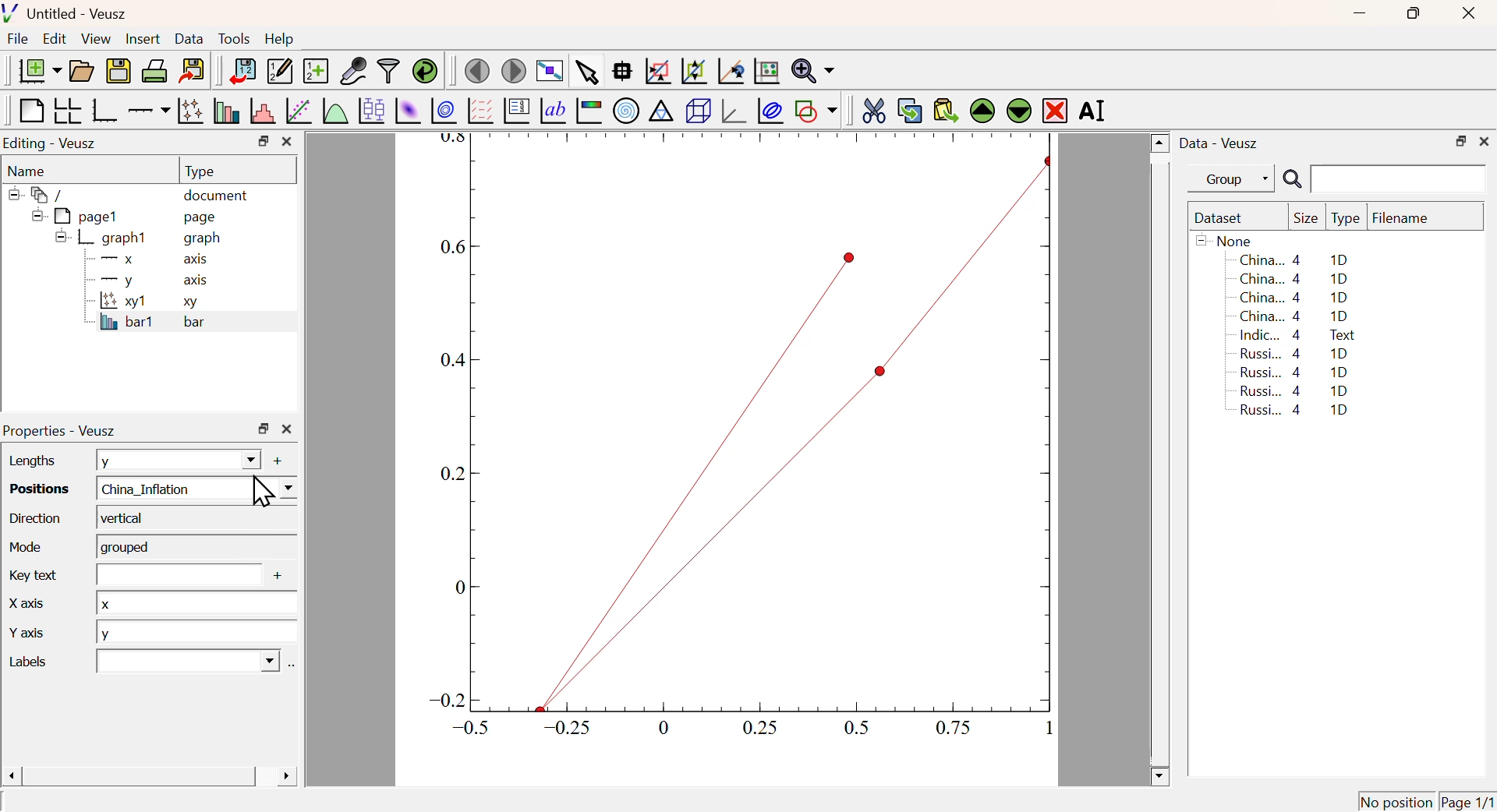 This screenshot has width=1497, height=812. Describe the element at coordinates (1411, 13) in the screenshot. I see `Restore Down` at that location.